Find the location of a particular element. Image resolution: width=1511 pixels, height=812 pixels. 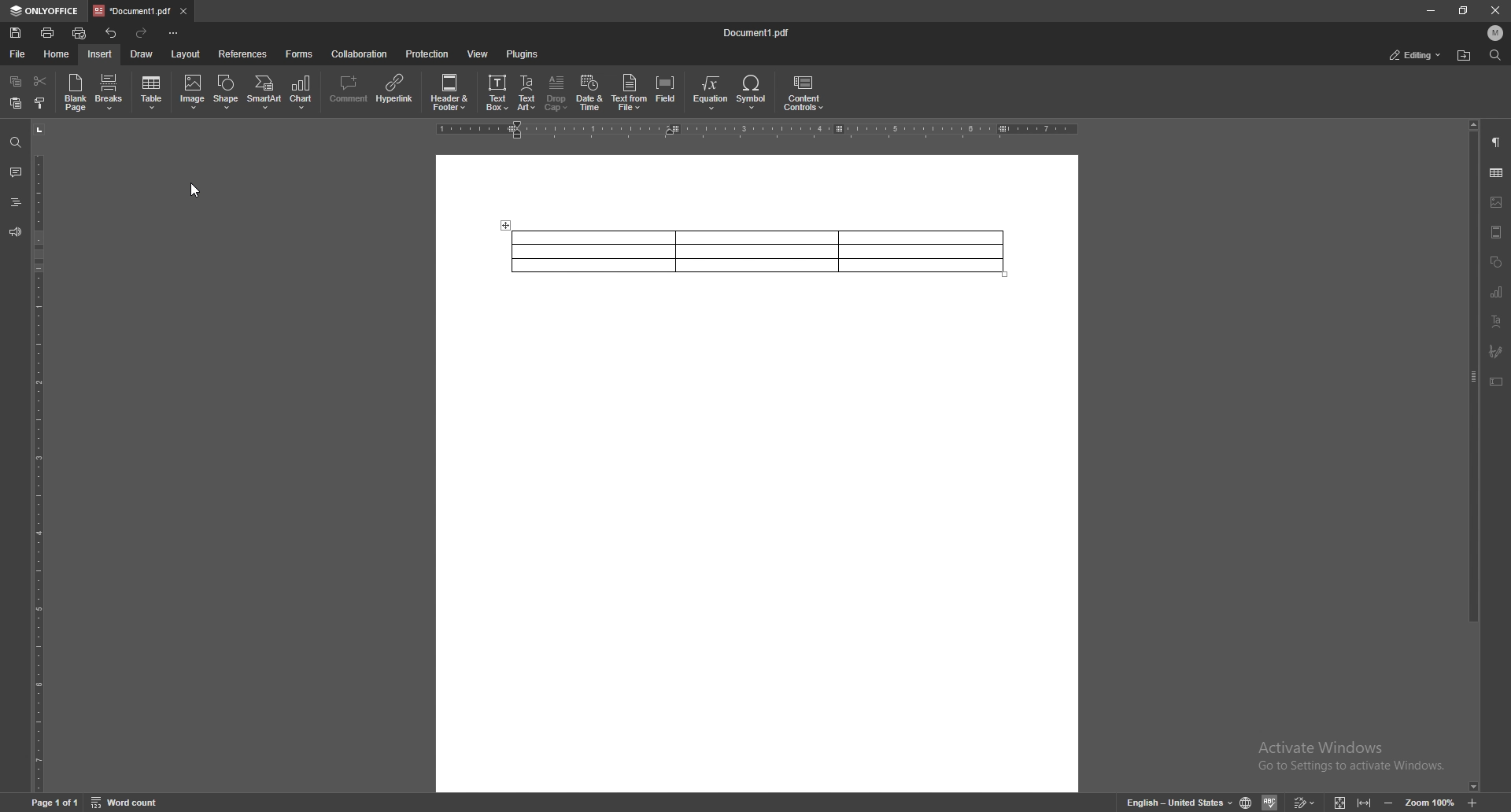

close is located at coordinates (1495, 10).